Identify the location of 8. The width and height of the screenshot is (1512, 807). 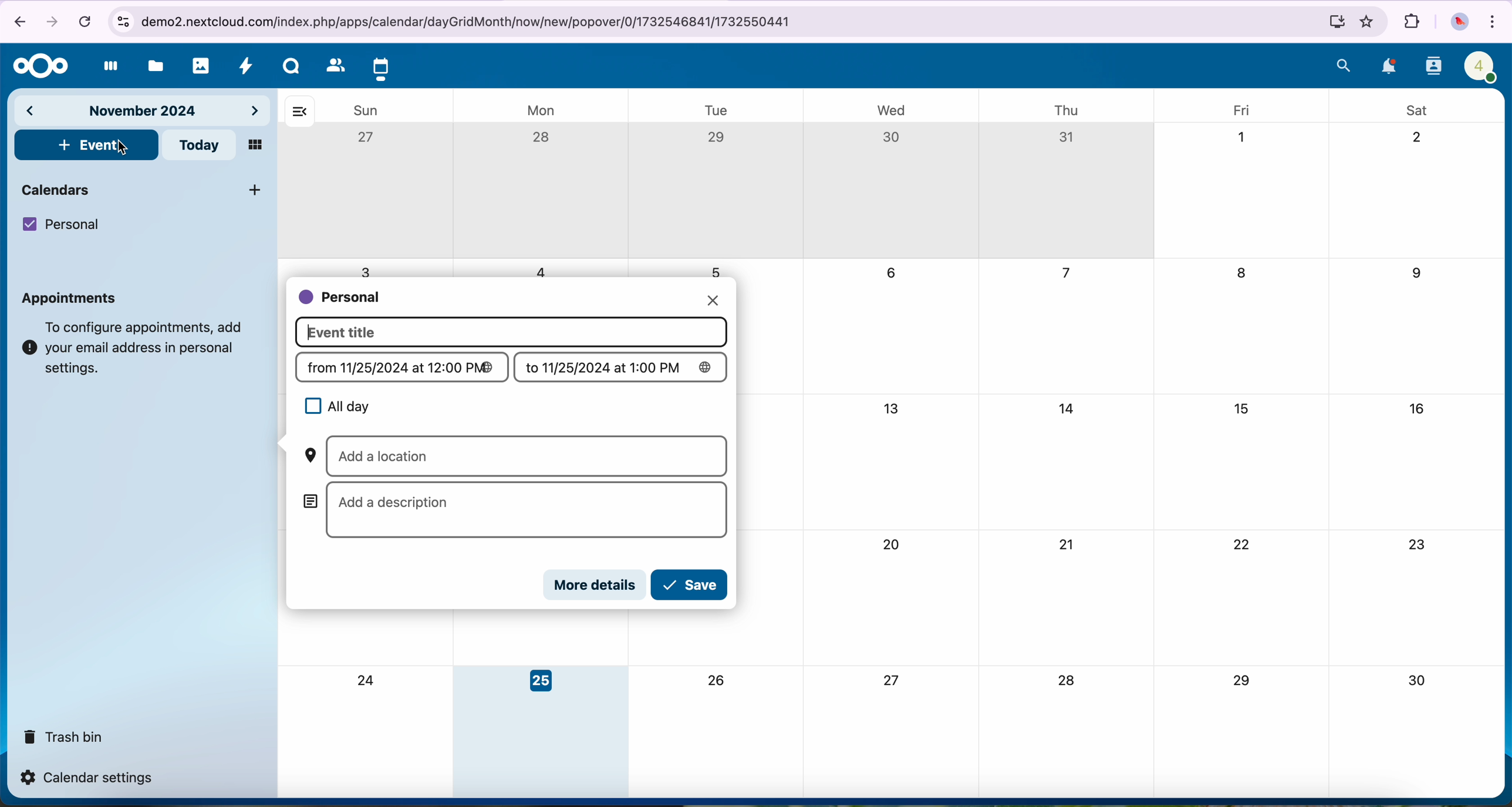
(1244, 276).